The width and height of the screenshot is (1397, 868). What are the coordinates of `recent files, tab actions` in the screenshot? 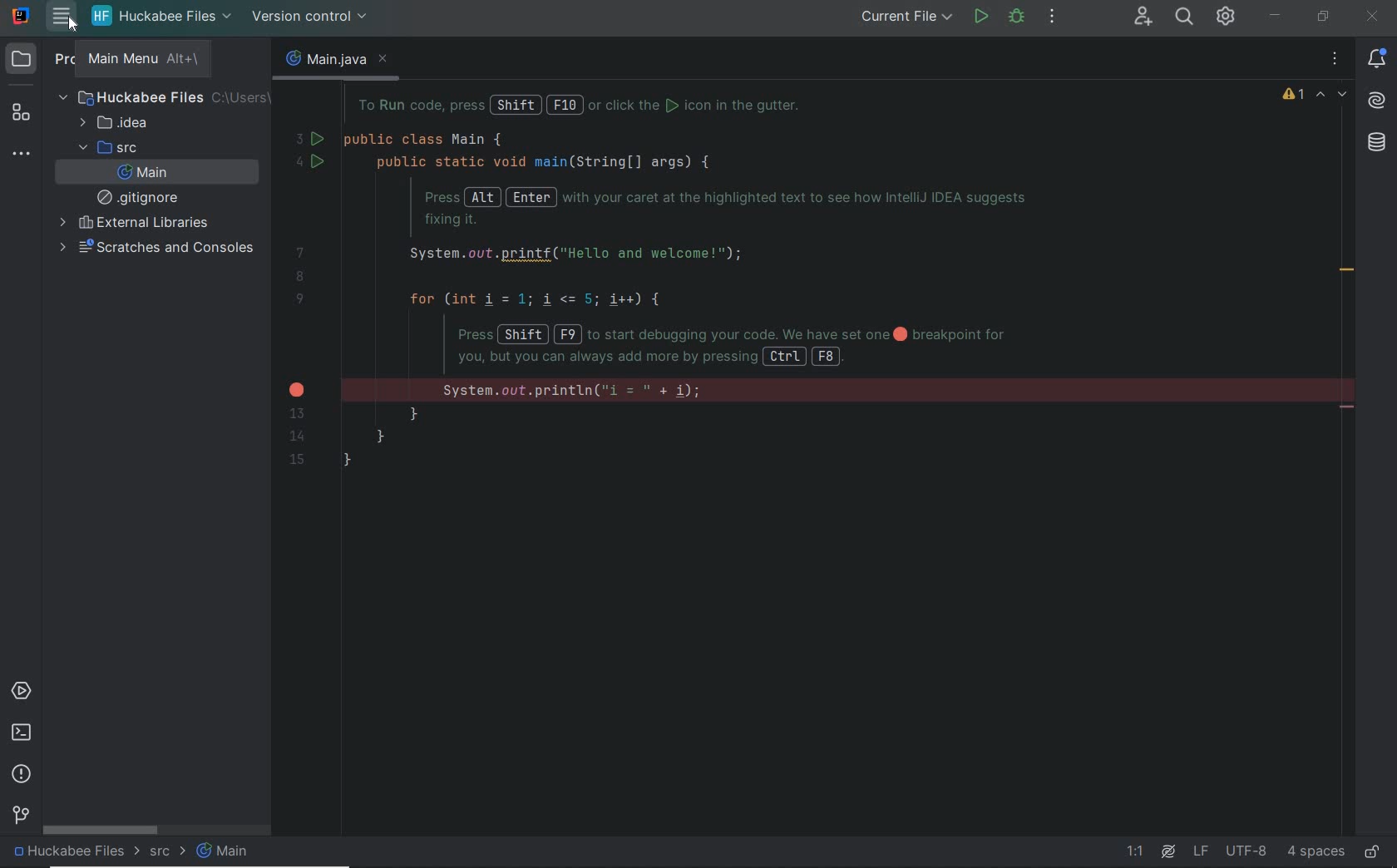 It's located at (1336, 62).